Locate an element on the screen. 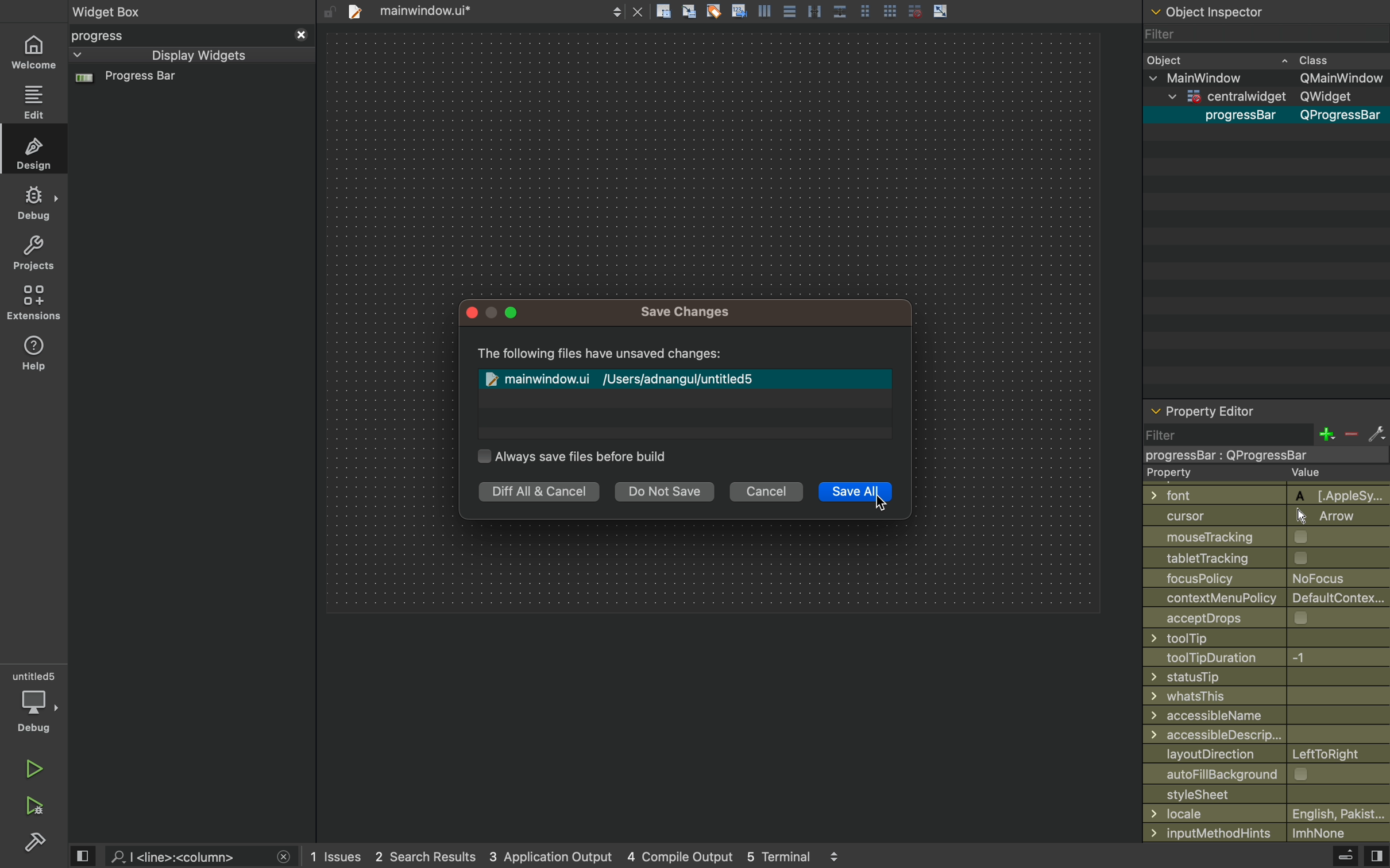 The width and height of the screenshot is (1390, 868). accessiblename is located at coordinates (1262, 715).